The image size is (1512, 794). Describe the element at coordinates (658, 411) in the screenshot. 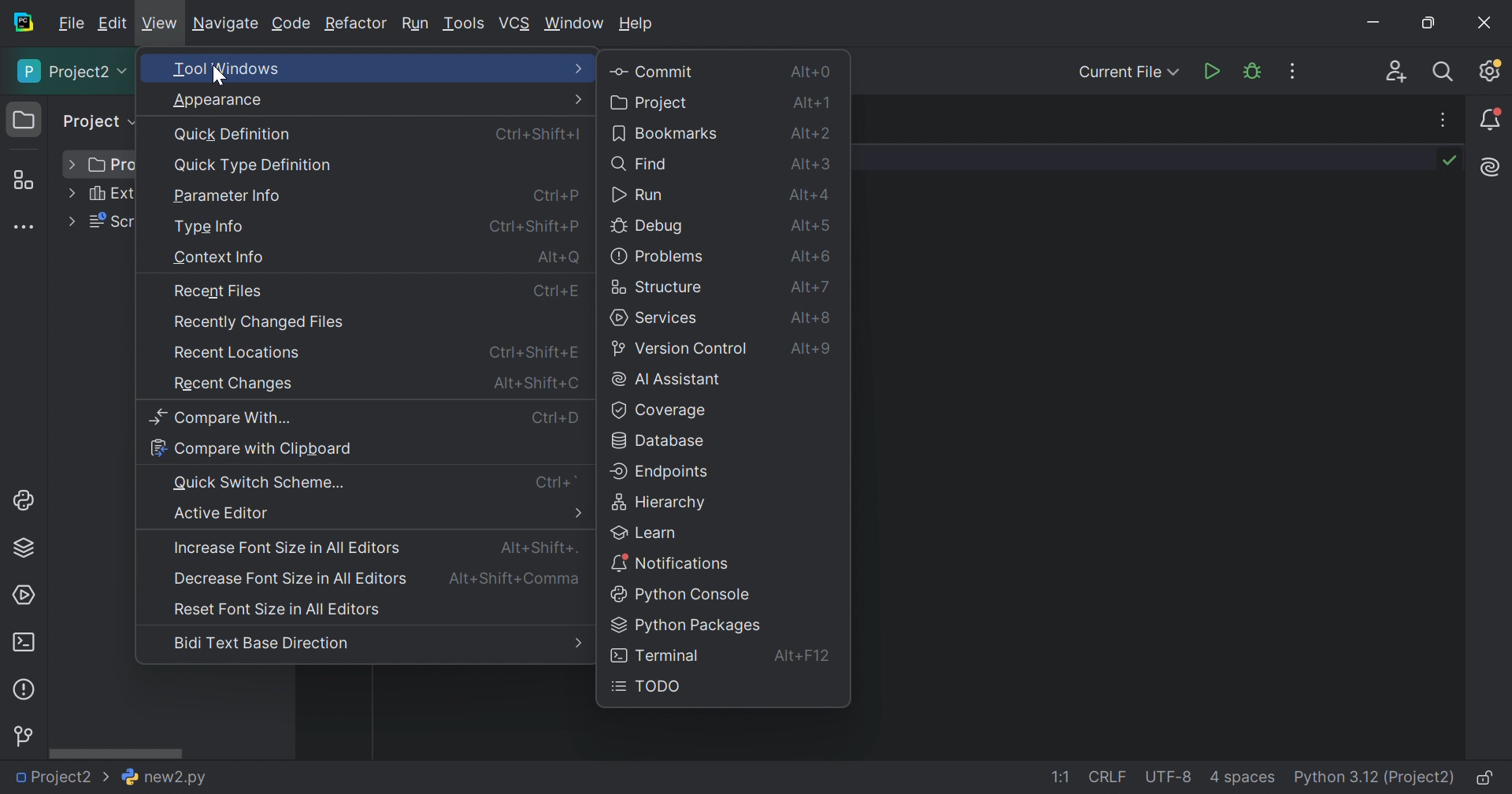

I see `Coverage` at that location.